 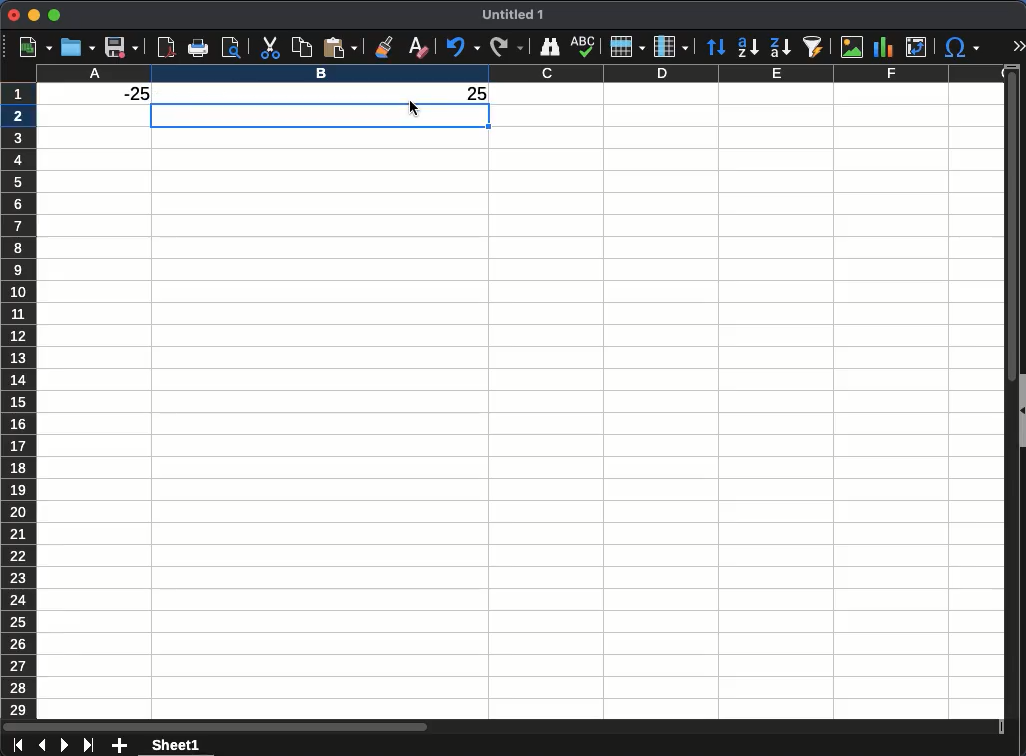 What do you see at coordinates (918, 44) in the screenshot?
I see `pivot character` at bounding box center [918, 44].